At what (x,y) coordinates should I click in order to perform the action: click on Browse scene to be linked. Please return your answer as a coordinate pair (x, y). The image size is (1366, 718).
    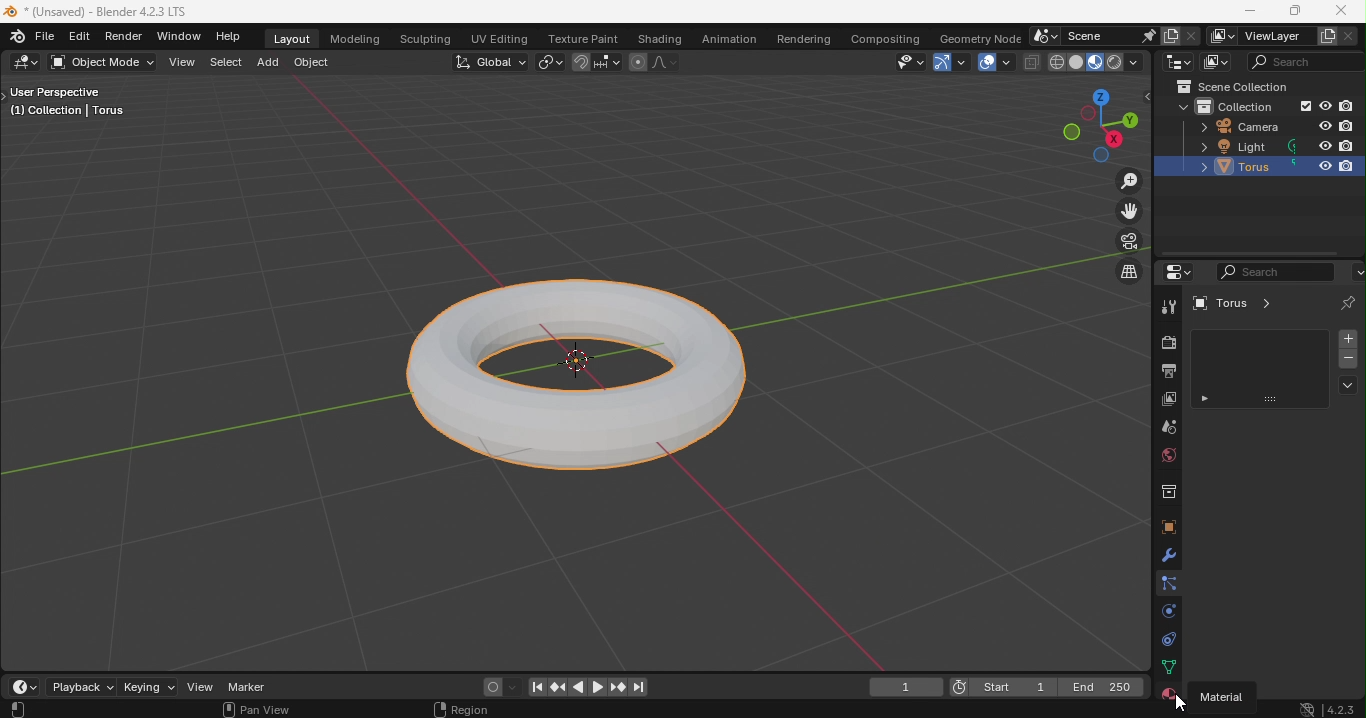
    Looking at the image, I should click on (1044, 36).